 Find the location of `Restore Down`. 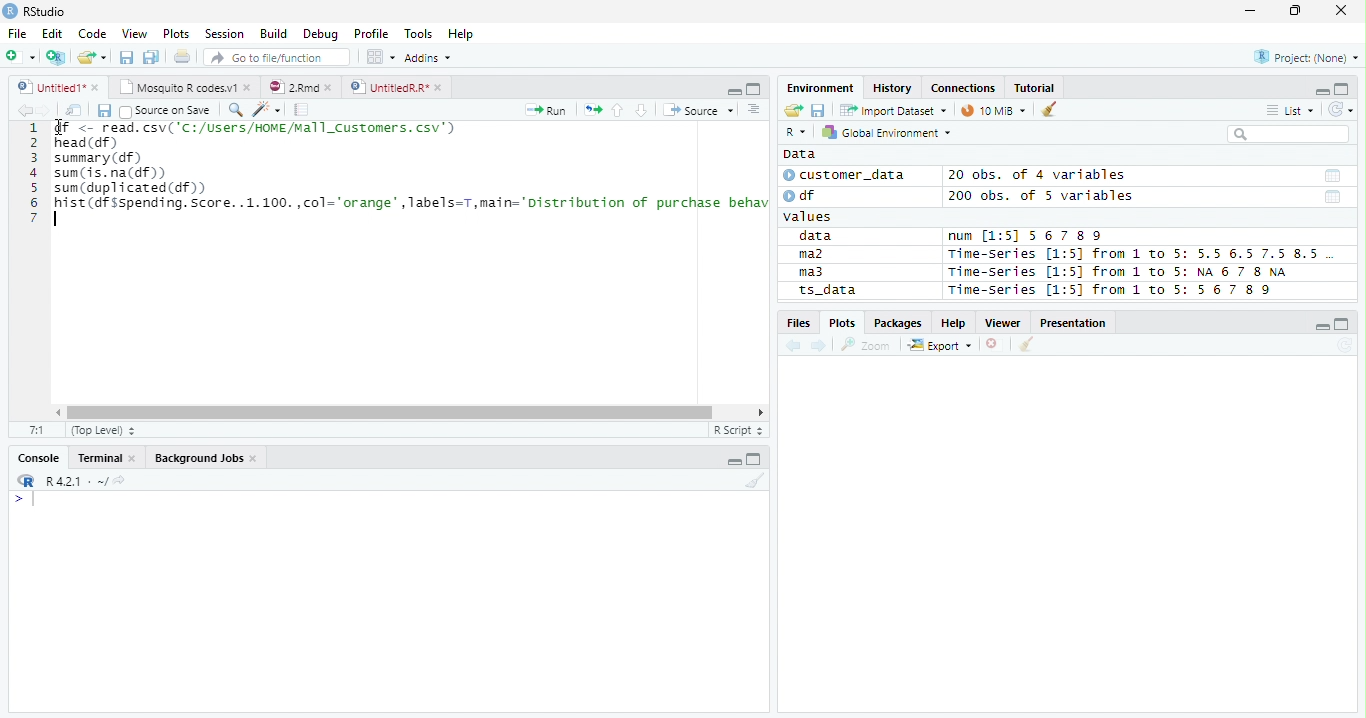

Restore Down is located at coordinates (1298, 11).